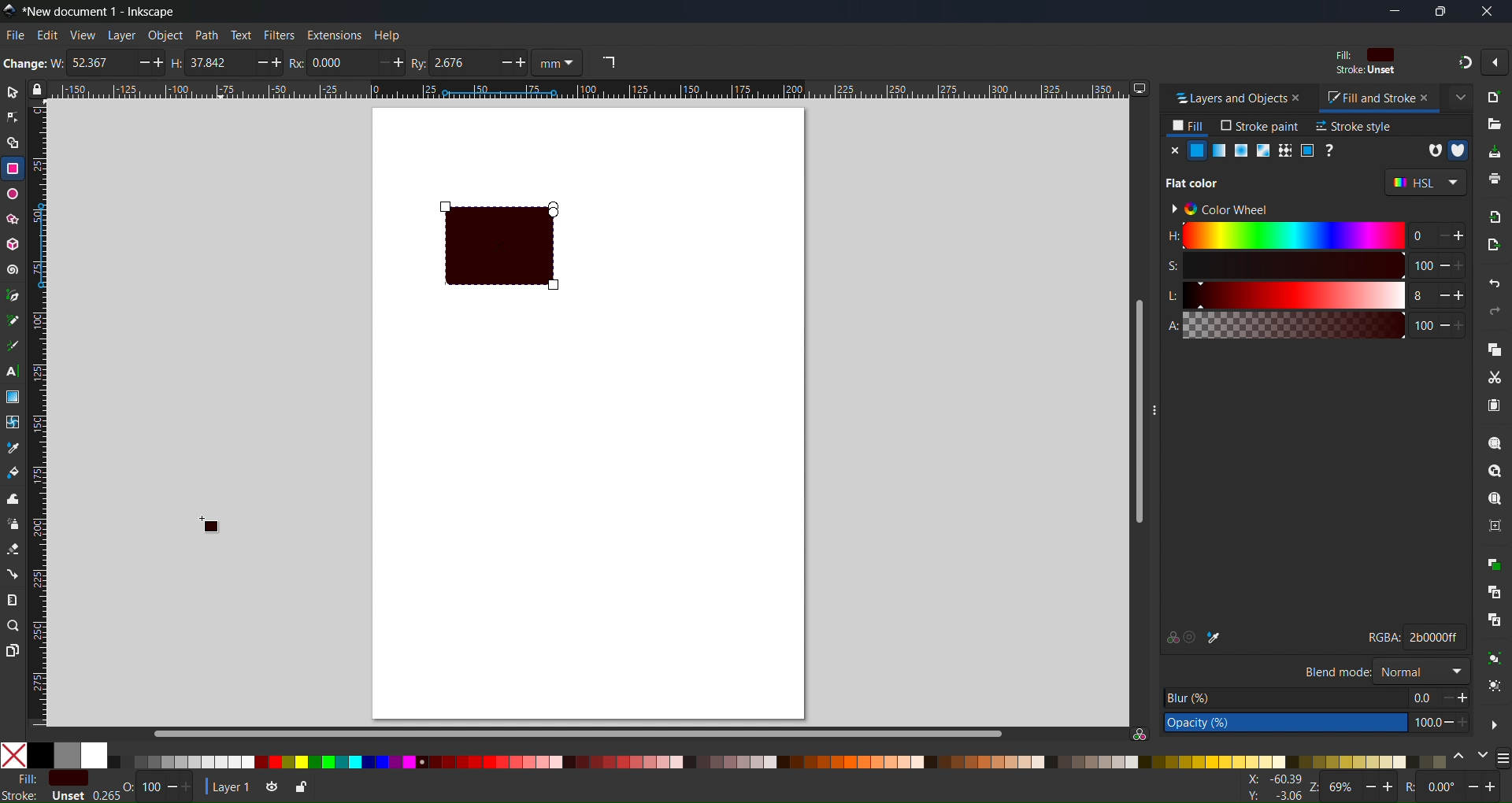 The width and height of the screenshot is (1512, 803). What do you see at coordinates (1389, 788) in the screenshot?
I see `Zoom in` at bounding box center [1389, 788].